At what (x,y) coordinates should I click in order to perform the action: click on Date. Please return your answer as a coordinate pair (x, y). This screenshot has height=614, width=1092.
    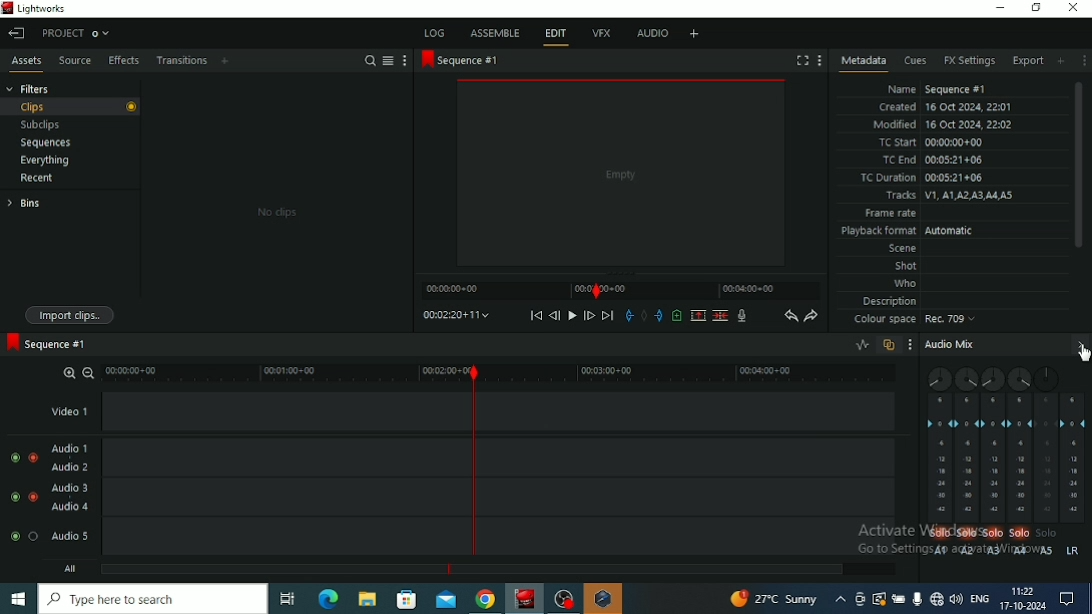
    Looking at the image, I should click on (1023, 606).